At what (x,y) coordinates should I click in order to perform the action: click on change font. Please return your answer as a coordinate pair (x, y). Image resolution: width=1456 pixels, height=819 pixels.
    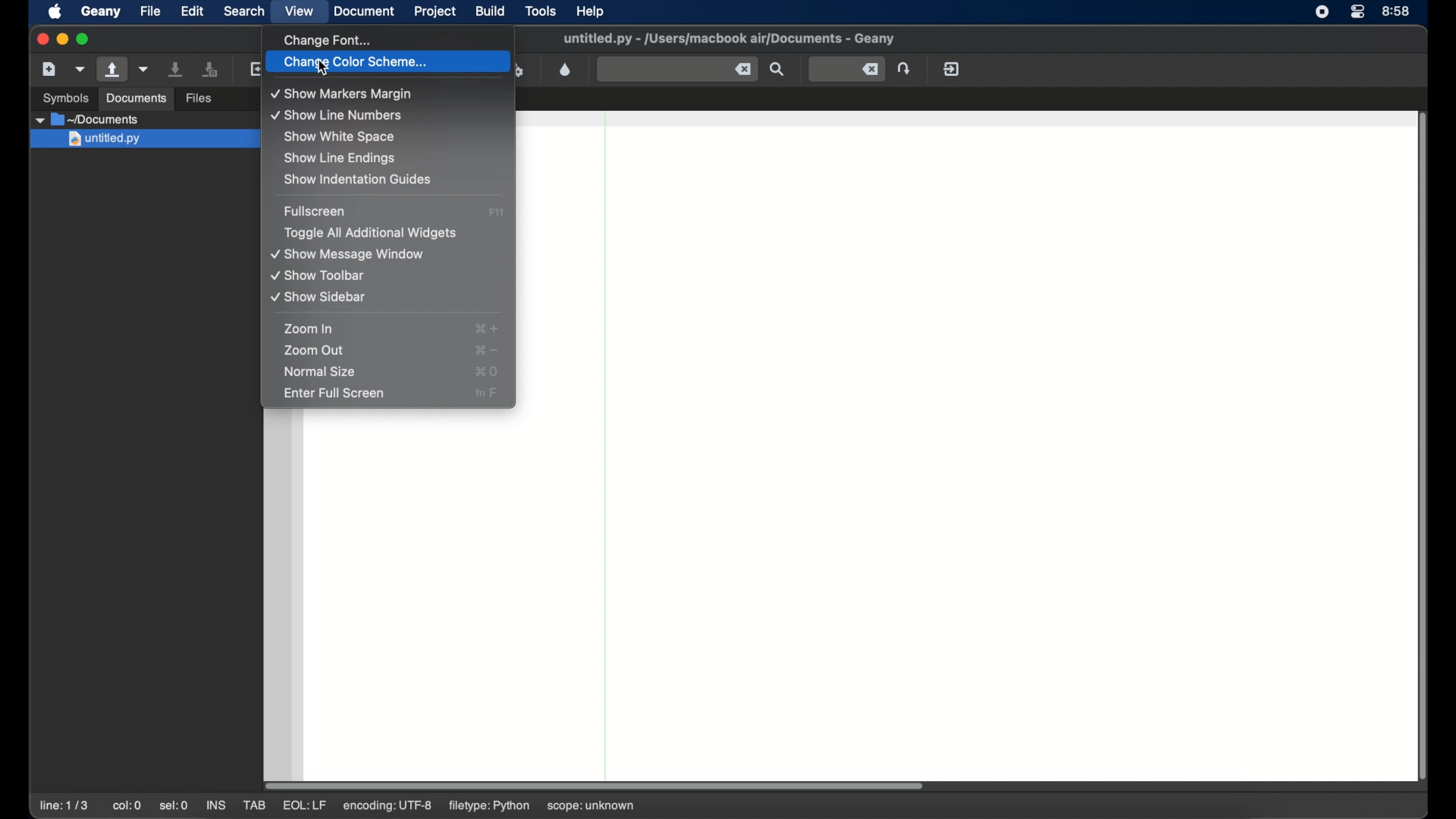
    Looking at the image, I should click on (328, 39).